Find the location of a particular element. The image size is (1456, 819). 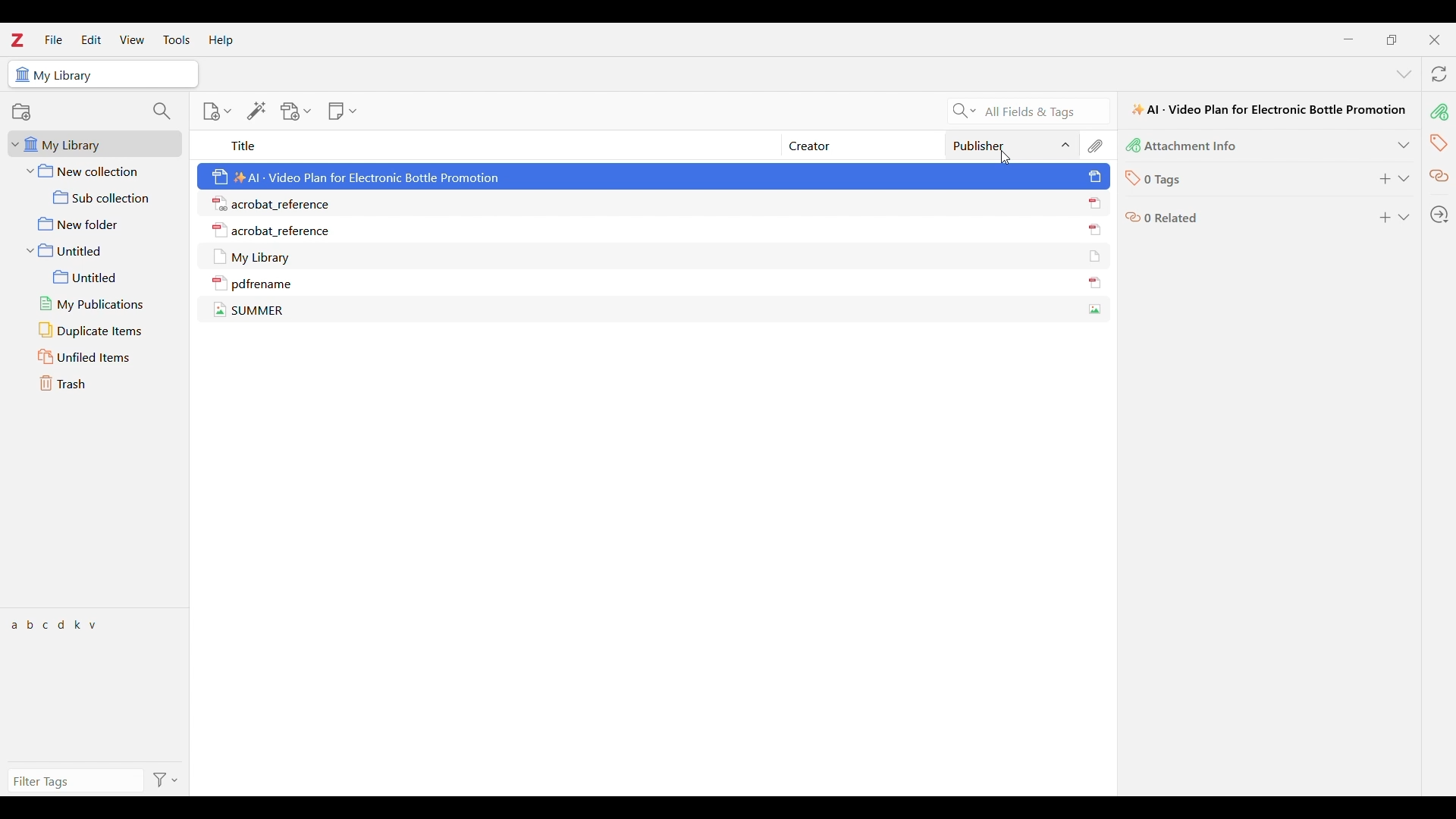

Search criteria options is located at coordinates (965, 111).